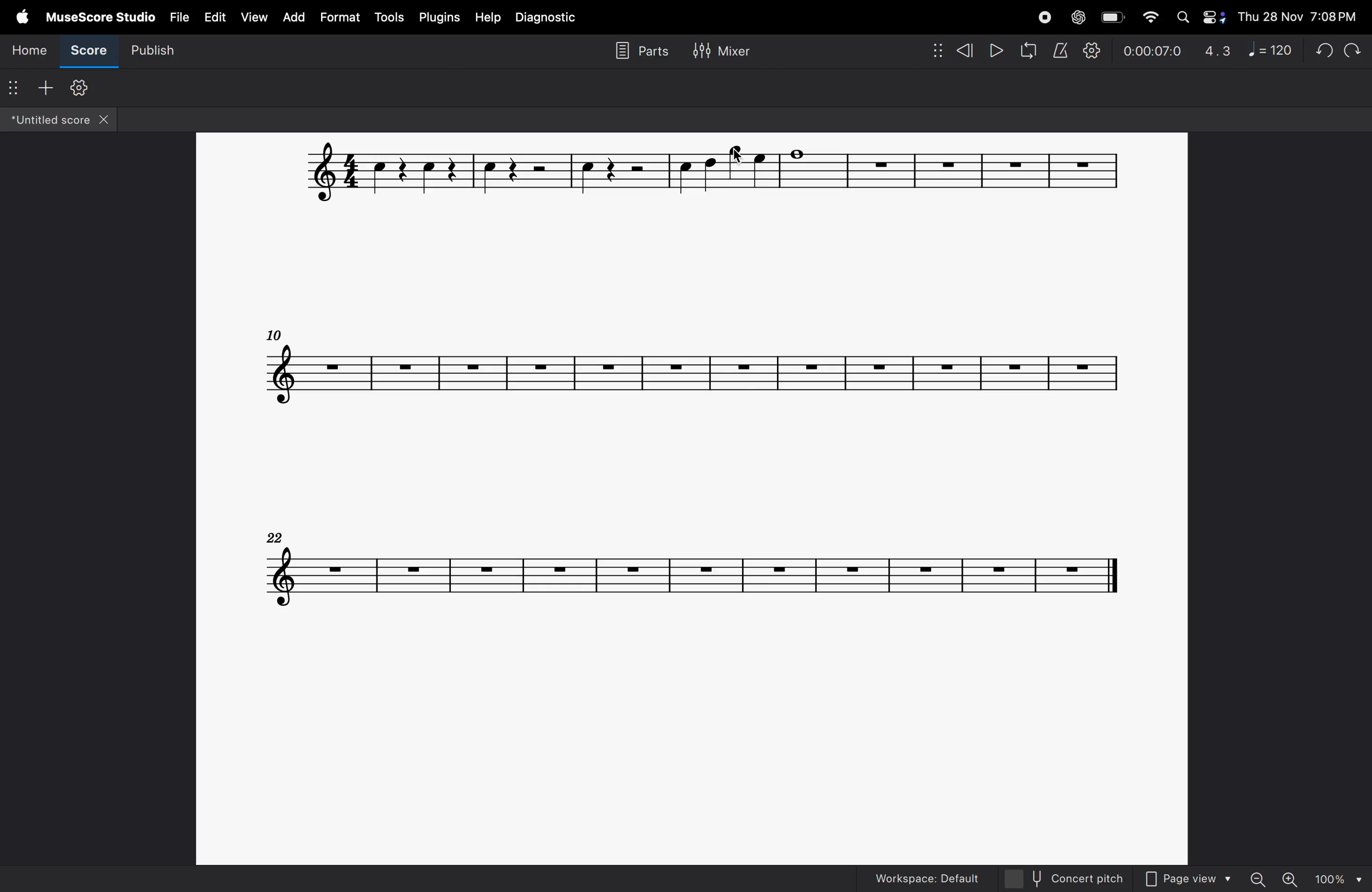 The image size is (1372, 892). I want to click on Redo, so click(1351, 51).